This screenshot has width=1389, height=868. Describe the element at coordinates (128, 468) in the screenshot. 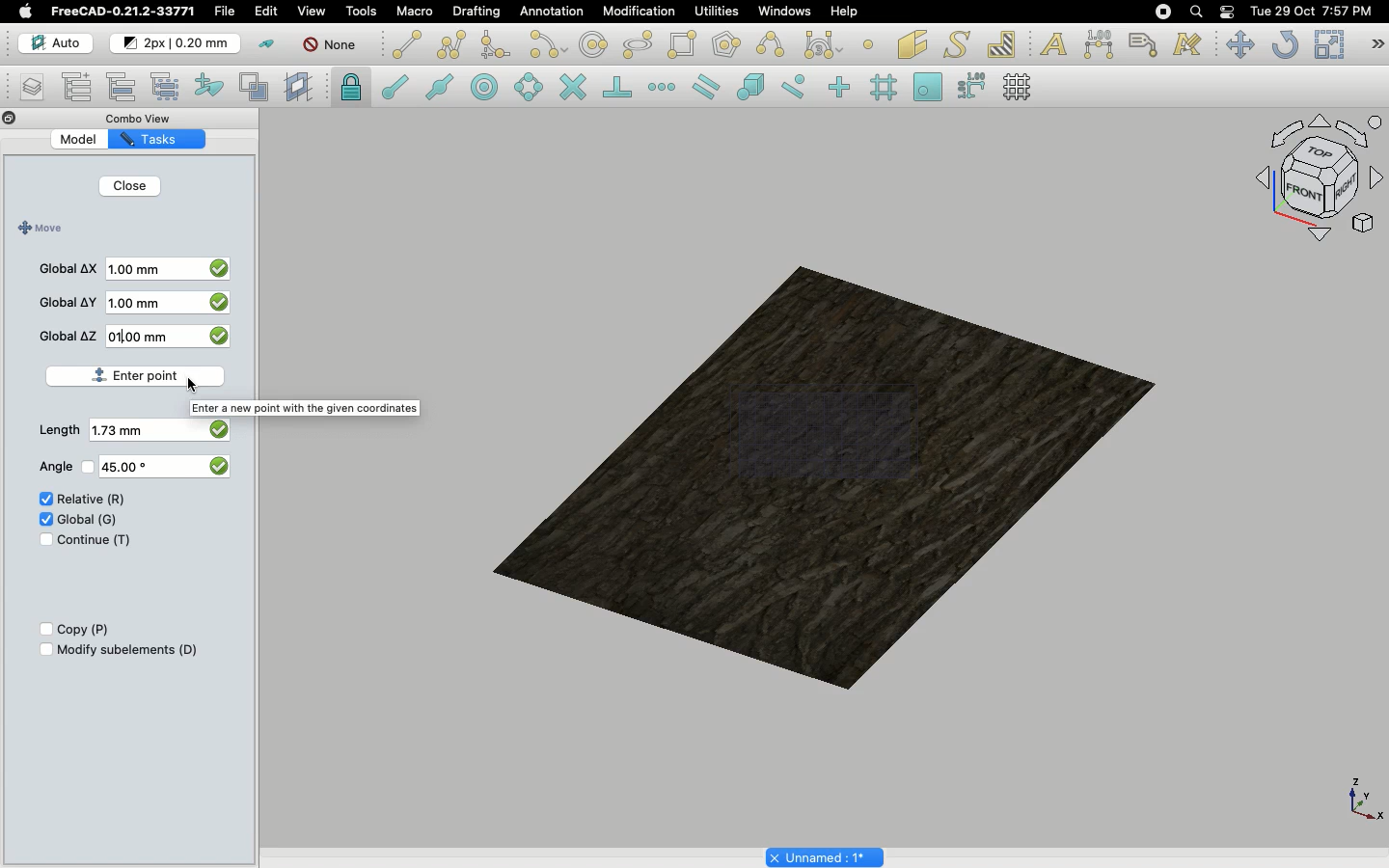

I see `45` at that location.